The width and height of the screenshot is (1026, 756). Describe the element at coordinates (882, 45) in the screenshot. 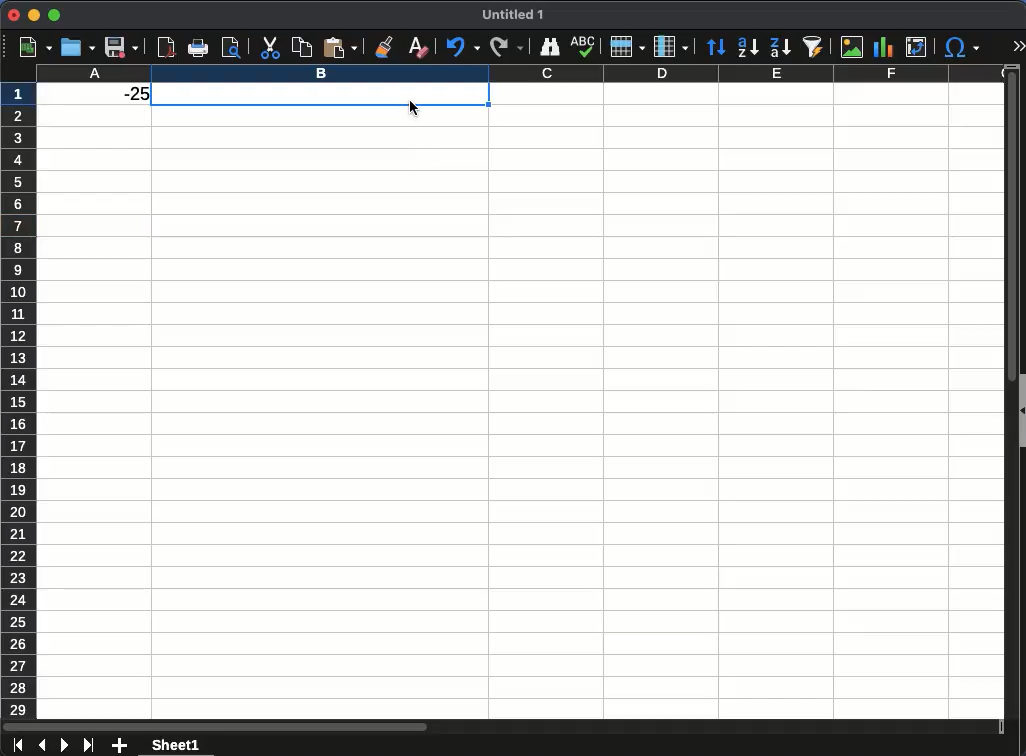

I see `chart` at that location.